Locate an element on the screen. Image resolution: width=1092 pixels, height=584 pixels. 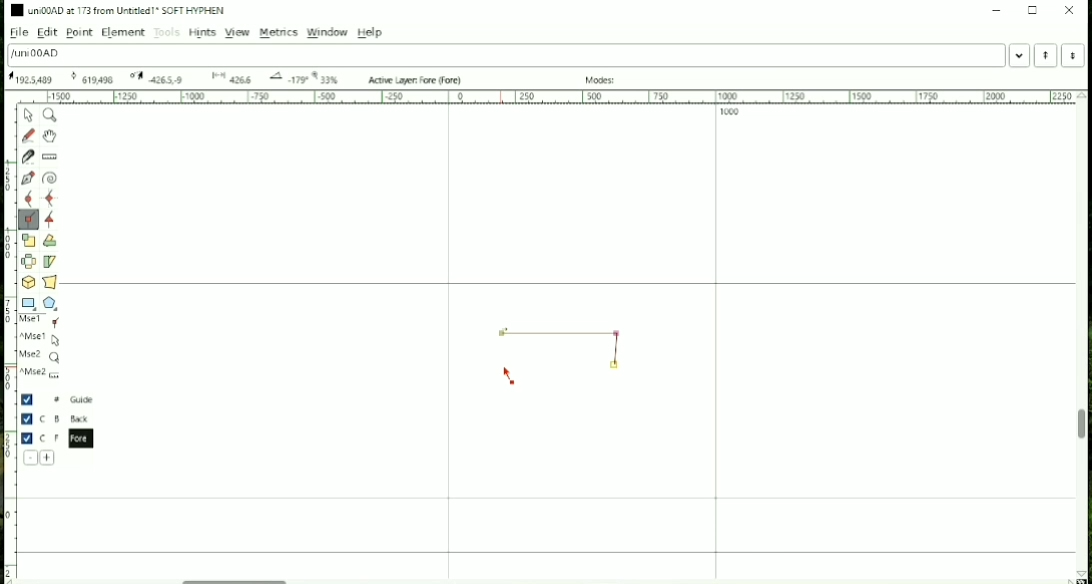
^Mse2 is located at coordinates (42, 374).